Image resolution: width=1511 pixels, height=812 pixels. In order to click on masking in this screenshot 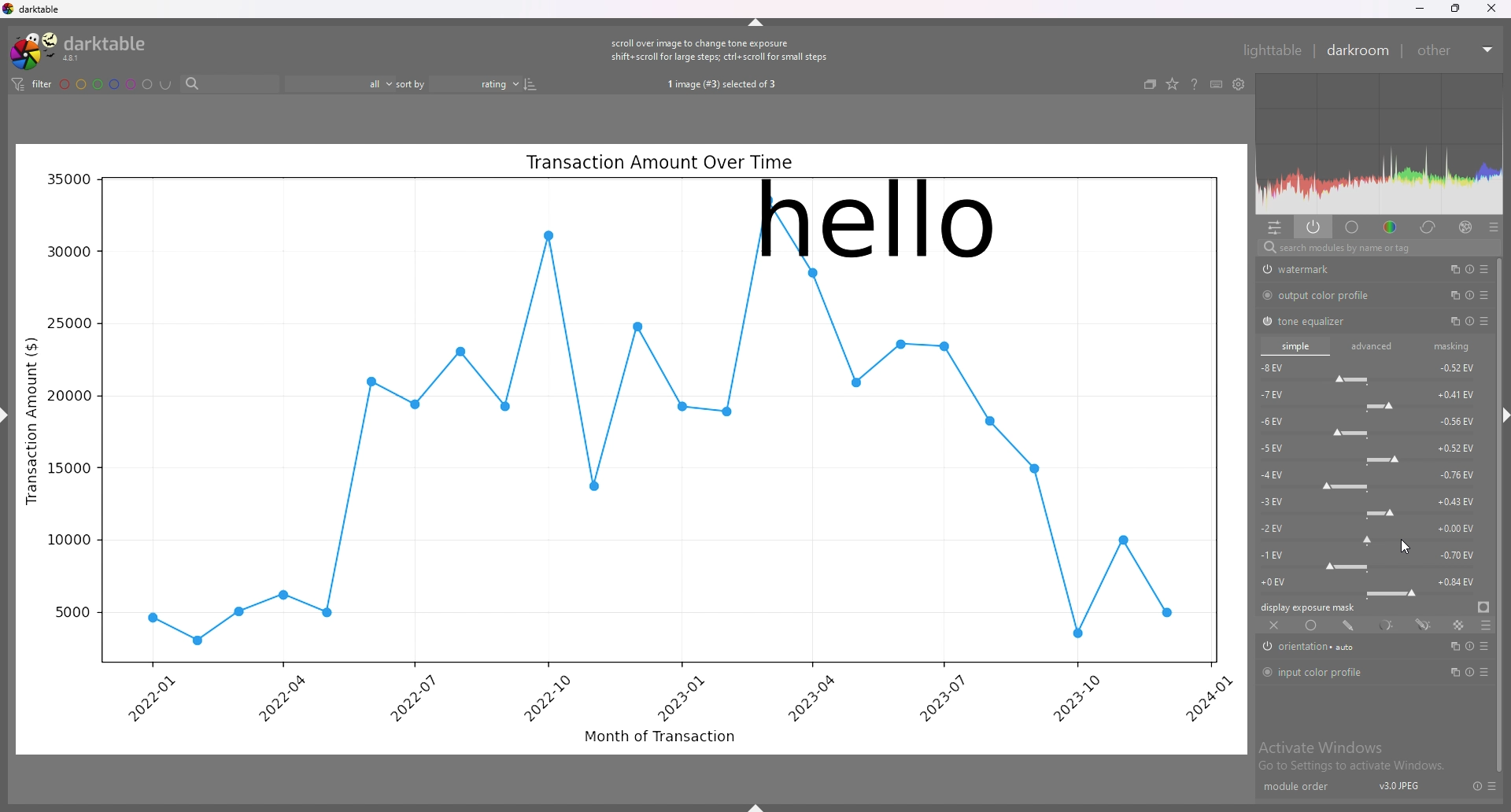, I will do `click(1448, 346)`.